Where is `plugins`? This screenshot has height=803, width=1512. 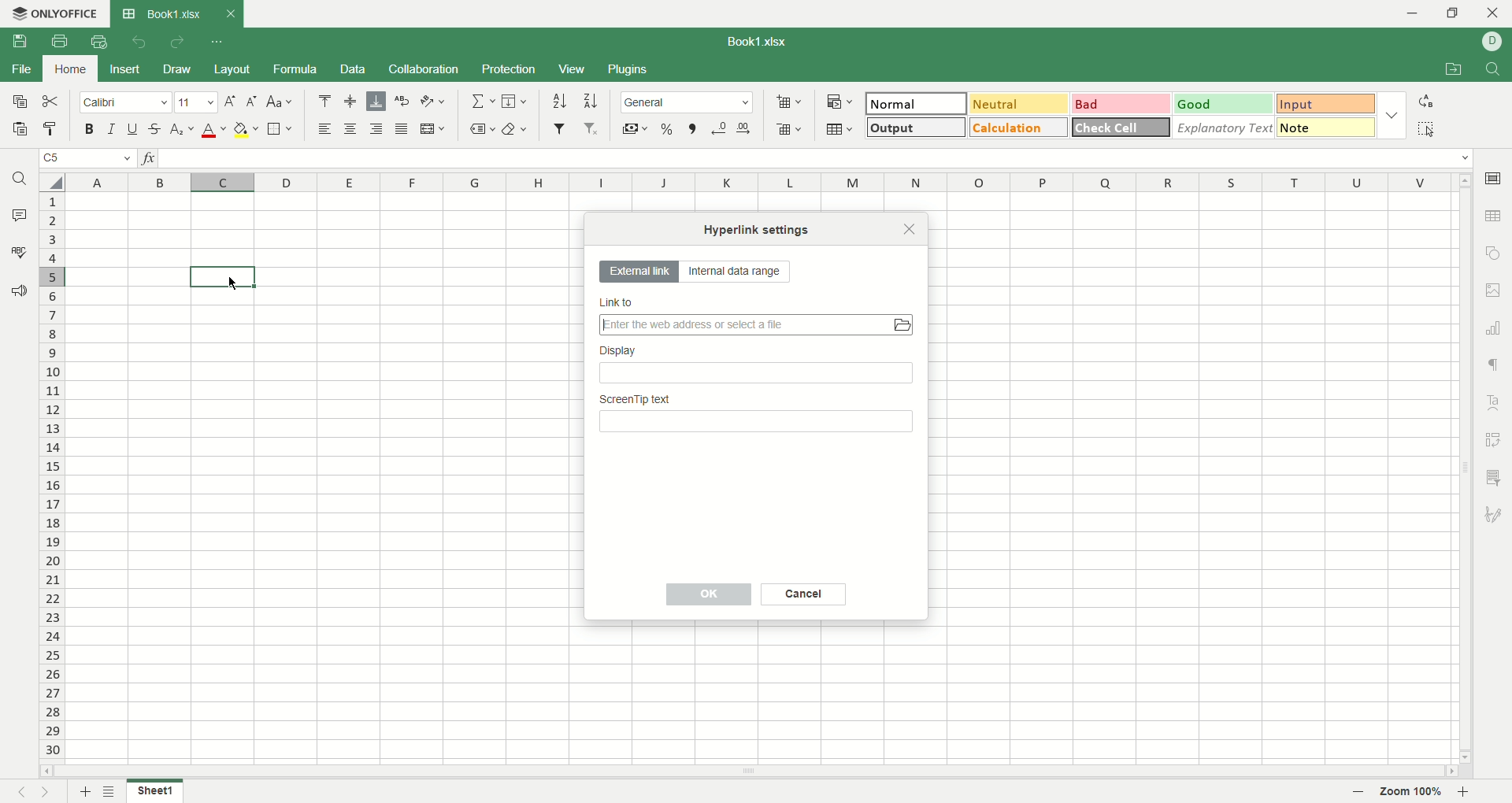
plugins is located at coordinates (630, 70).